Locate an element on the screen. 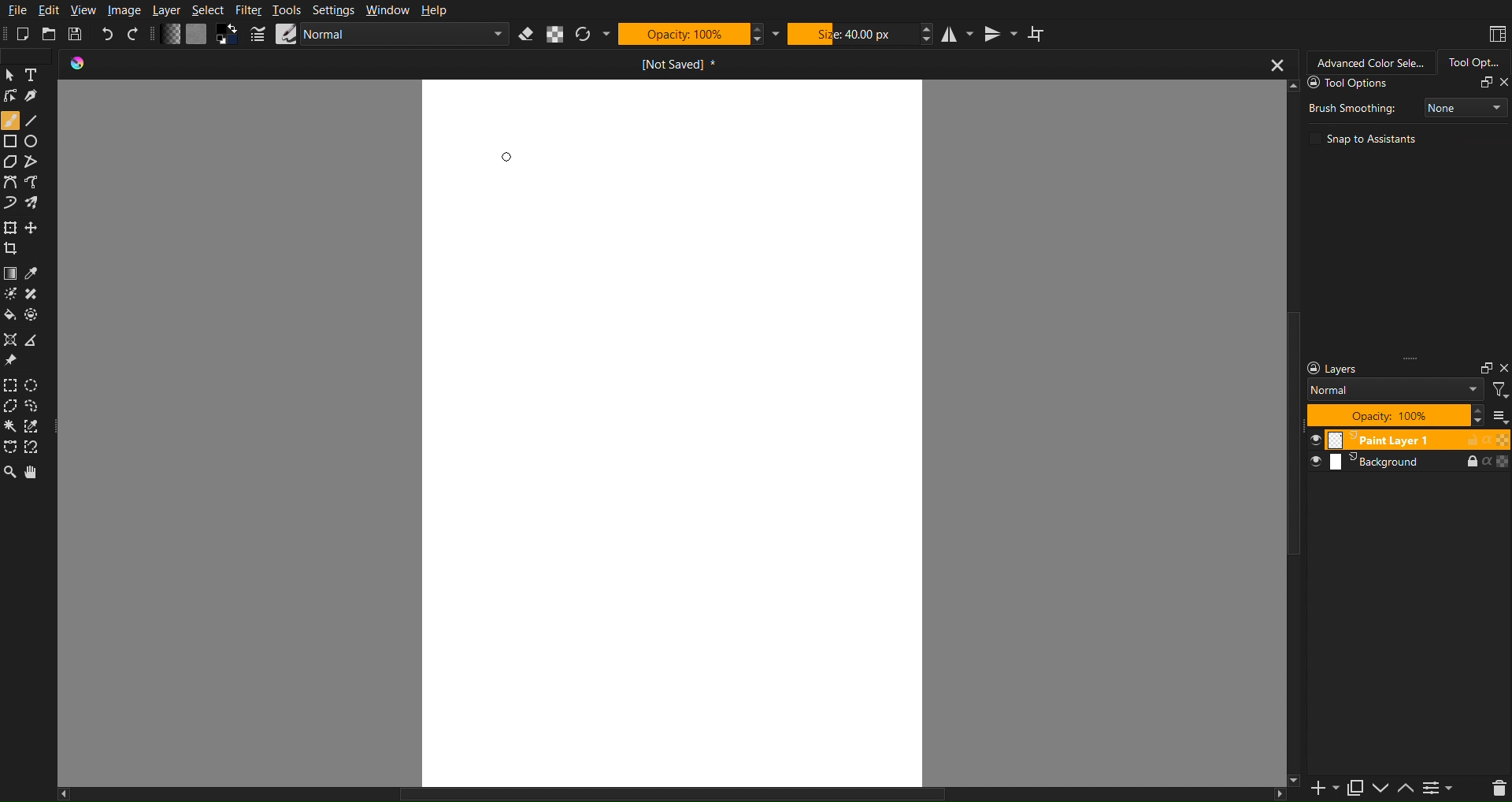 Image resolution: width=1512 pixels, height=802 pixels. Free Move is located at coordinates (35, 227).